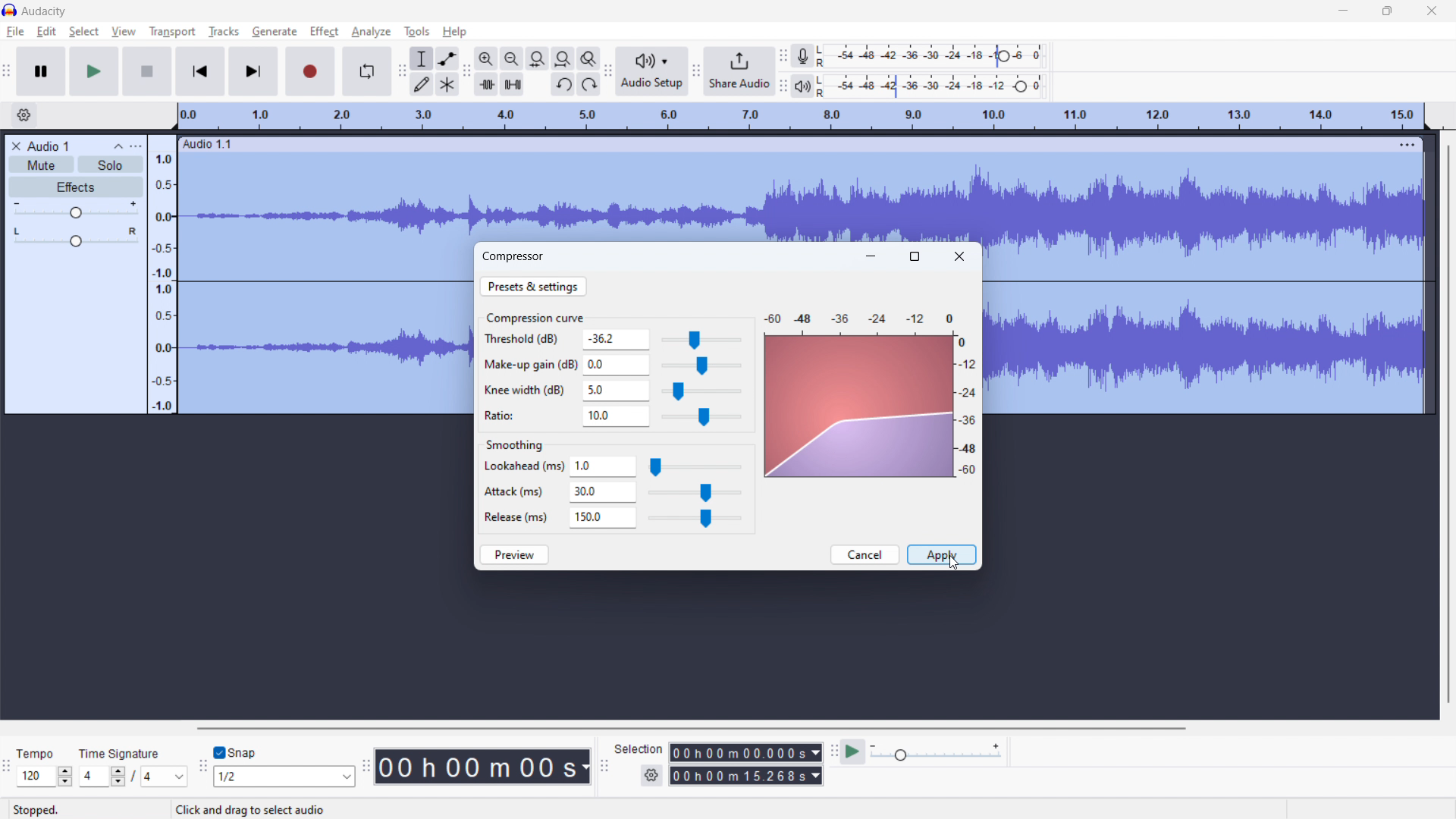 This screenshot has width=1456, height=819. I want to click on enable looping, so click(366, 71).